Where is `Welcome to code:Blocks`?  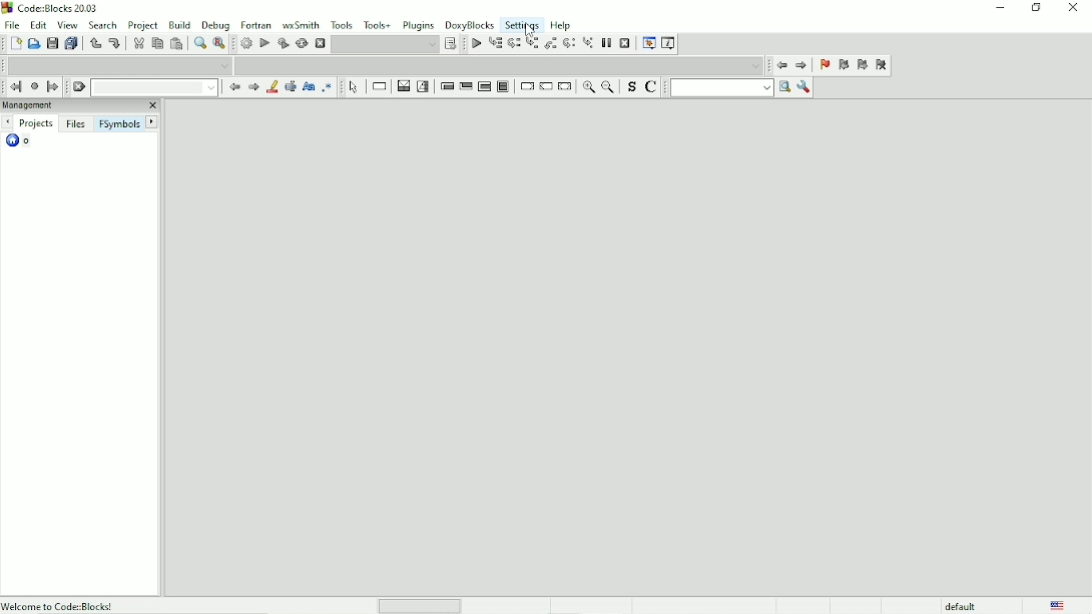
Welcome to code:Blocks is located at coordinates (59, 604).